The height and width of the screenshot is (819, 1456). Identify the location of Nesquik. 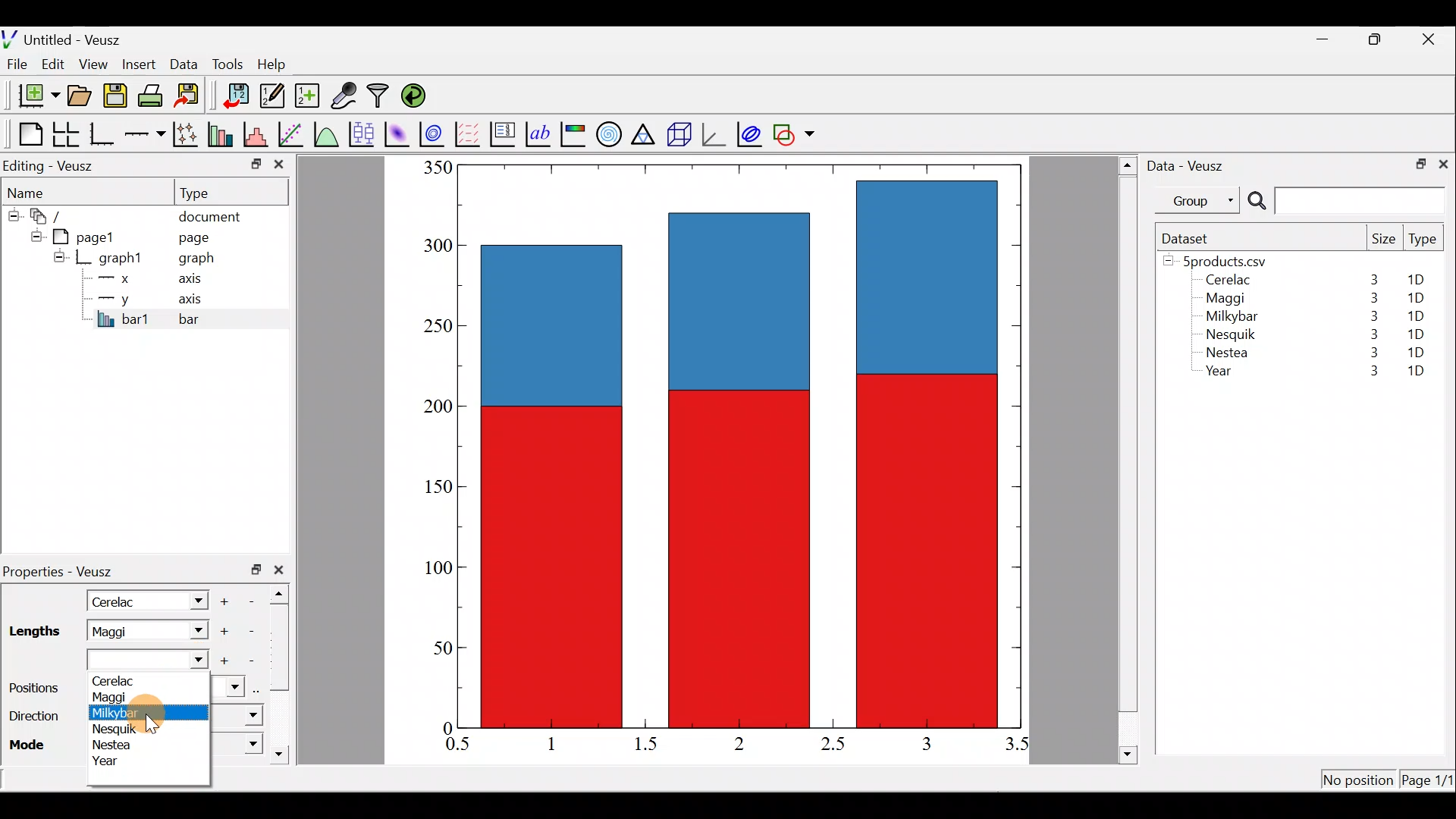
(1228, 334).